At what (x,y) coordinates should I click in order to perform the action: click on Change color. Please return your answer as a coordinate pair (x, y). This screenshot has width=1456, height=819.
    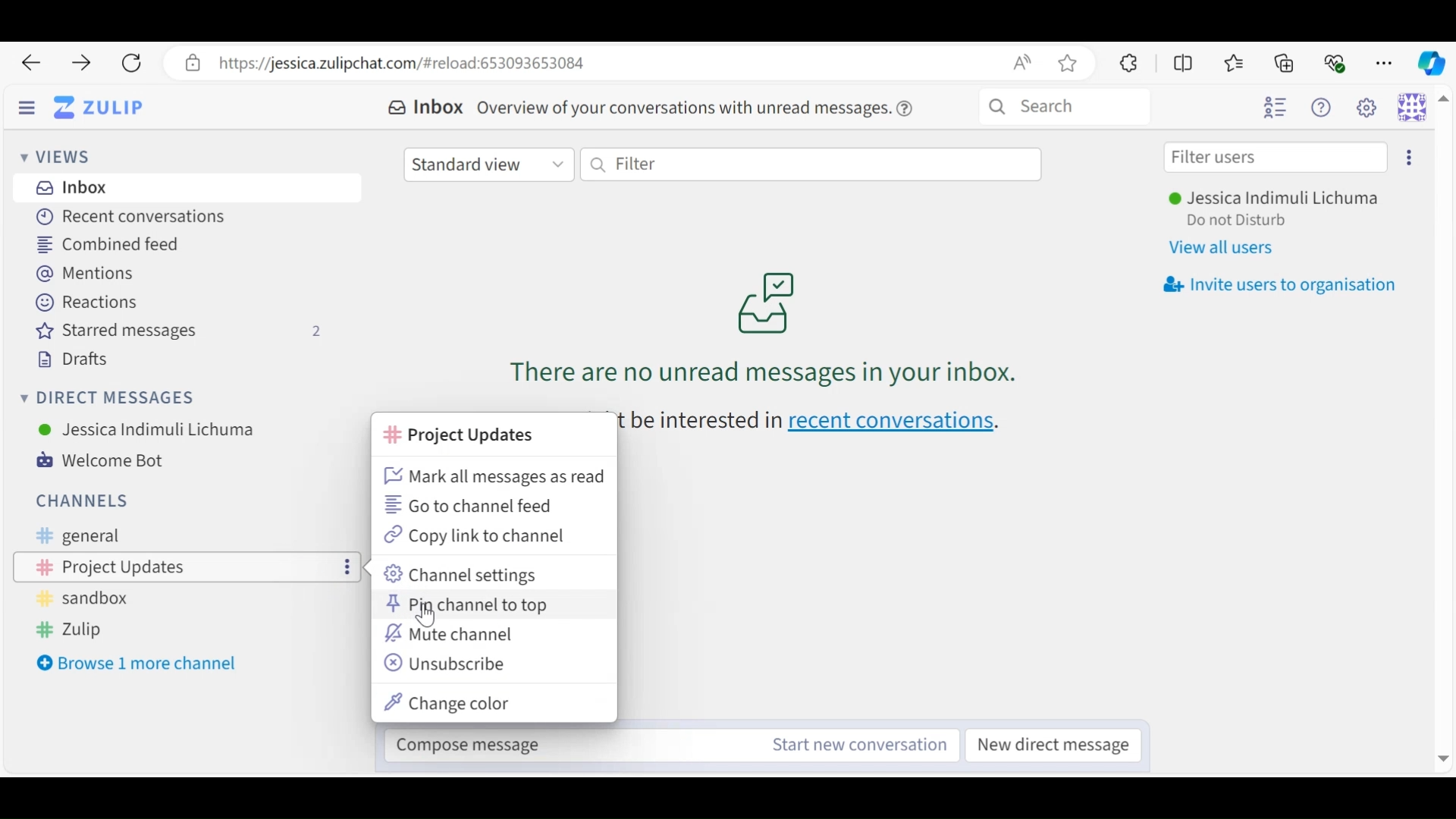
    Looking at the image, I should click on (453, 704).